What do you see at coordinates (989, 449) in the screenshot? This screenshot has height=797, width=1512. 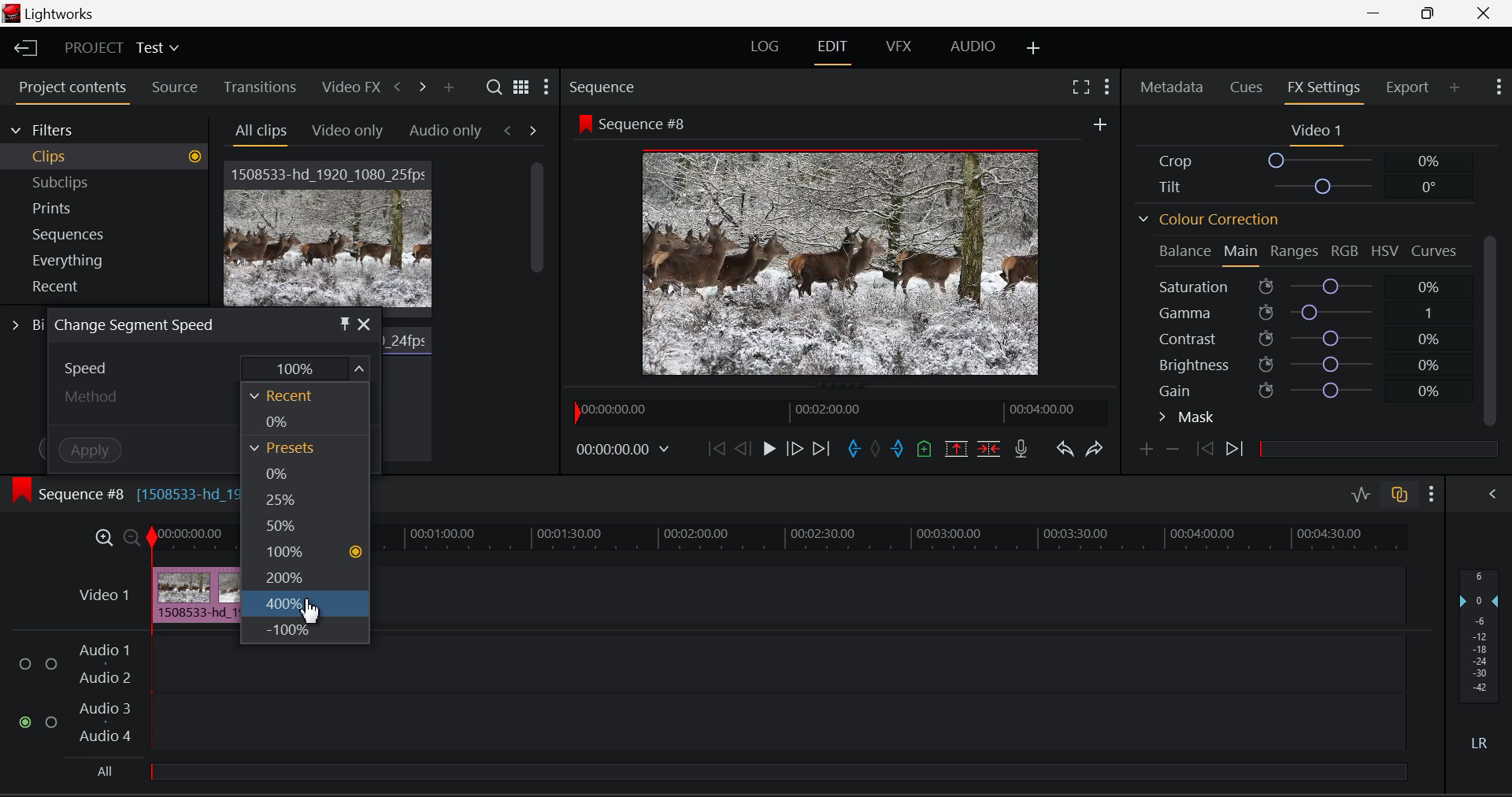 I see `Delete/Cut` at bounding box center [989, 449].